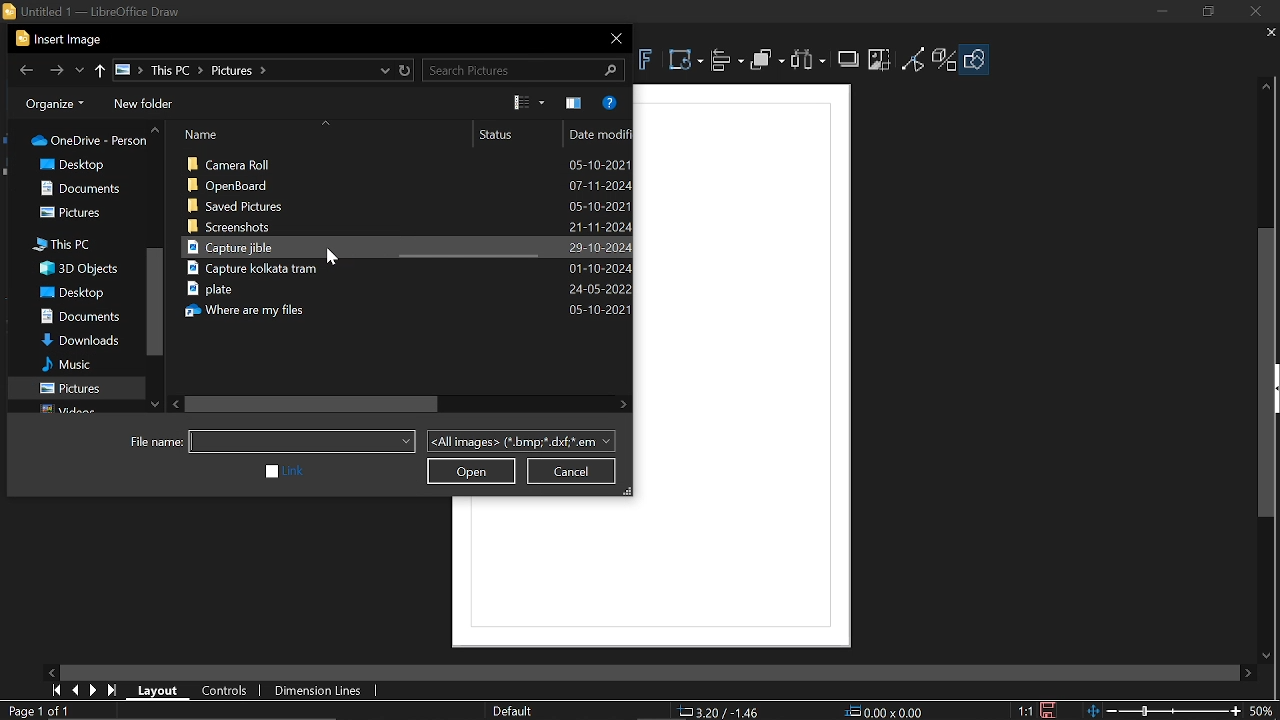  Describe the element at coordinates (728, 63) in the screenshot. I see `Align` at that location.